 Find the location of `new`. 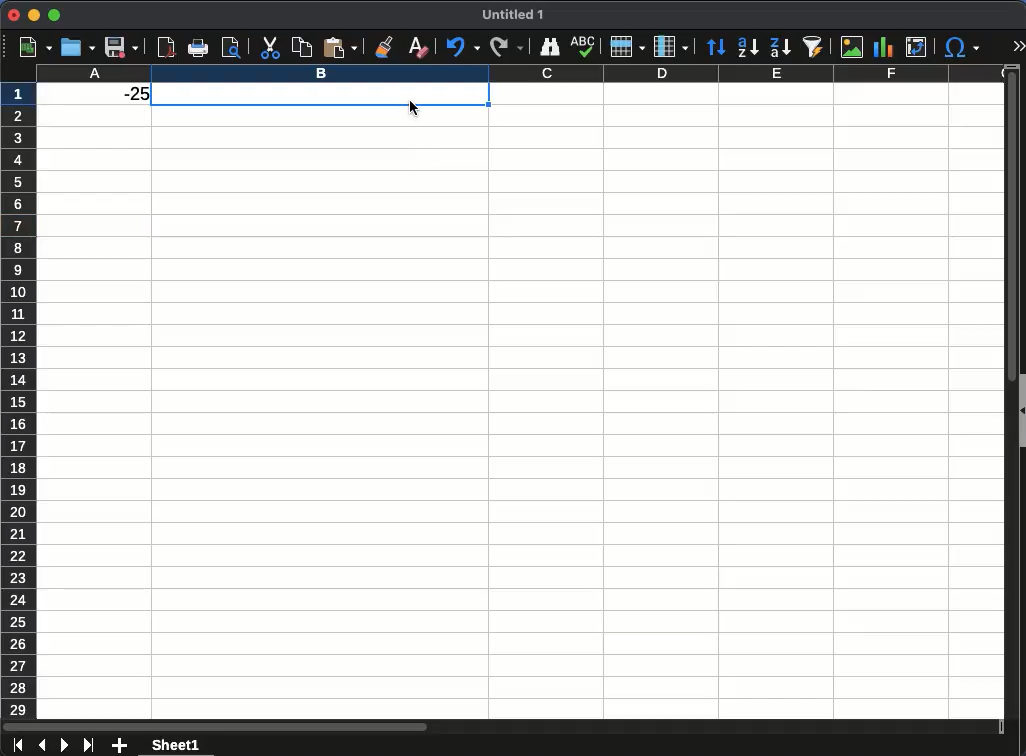

new is located at coordinates (31, 47).